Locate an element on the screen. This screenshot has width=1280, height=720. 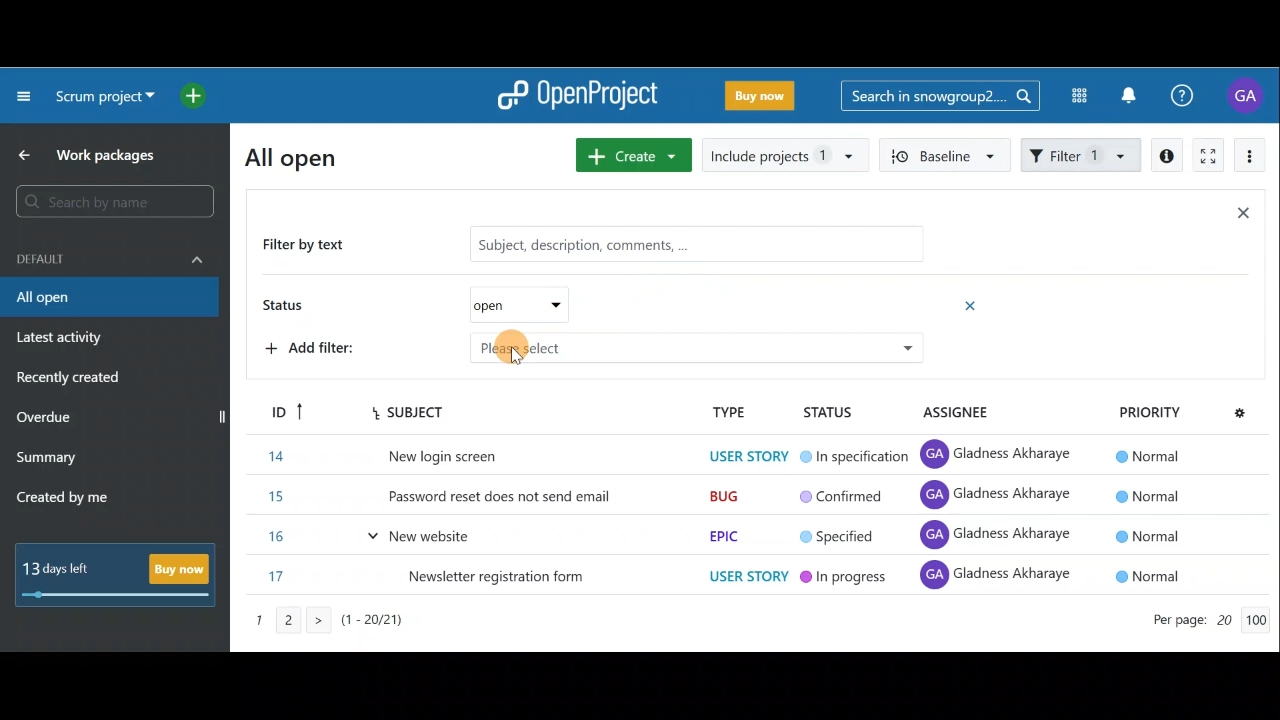
Overdue is located at coordinates (46, 419).